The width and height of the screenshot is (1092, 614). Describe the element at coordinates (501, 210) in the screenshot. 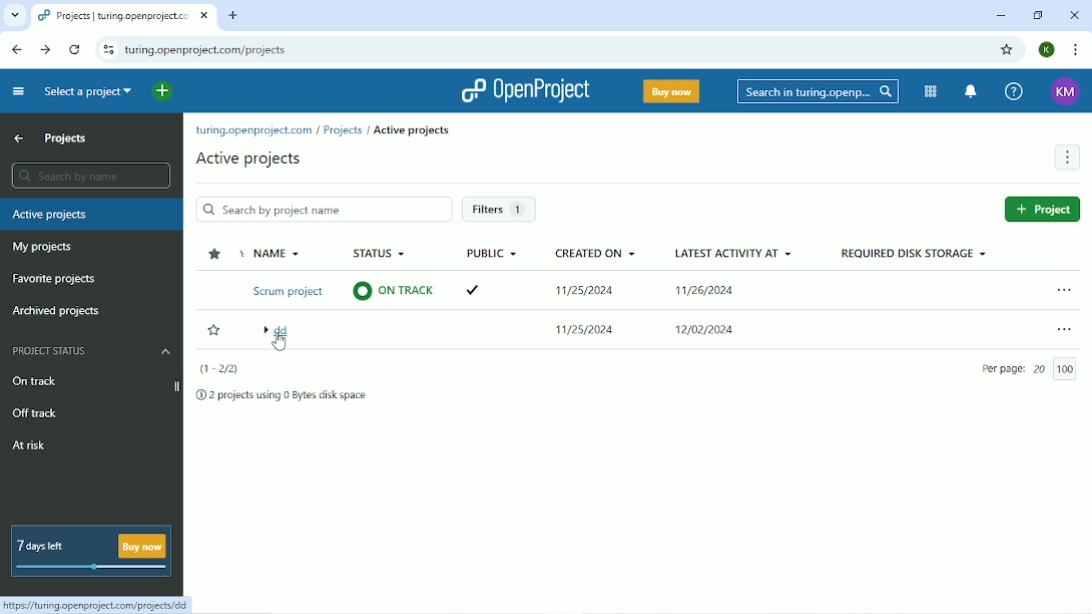

I see `Filters` at that location.